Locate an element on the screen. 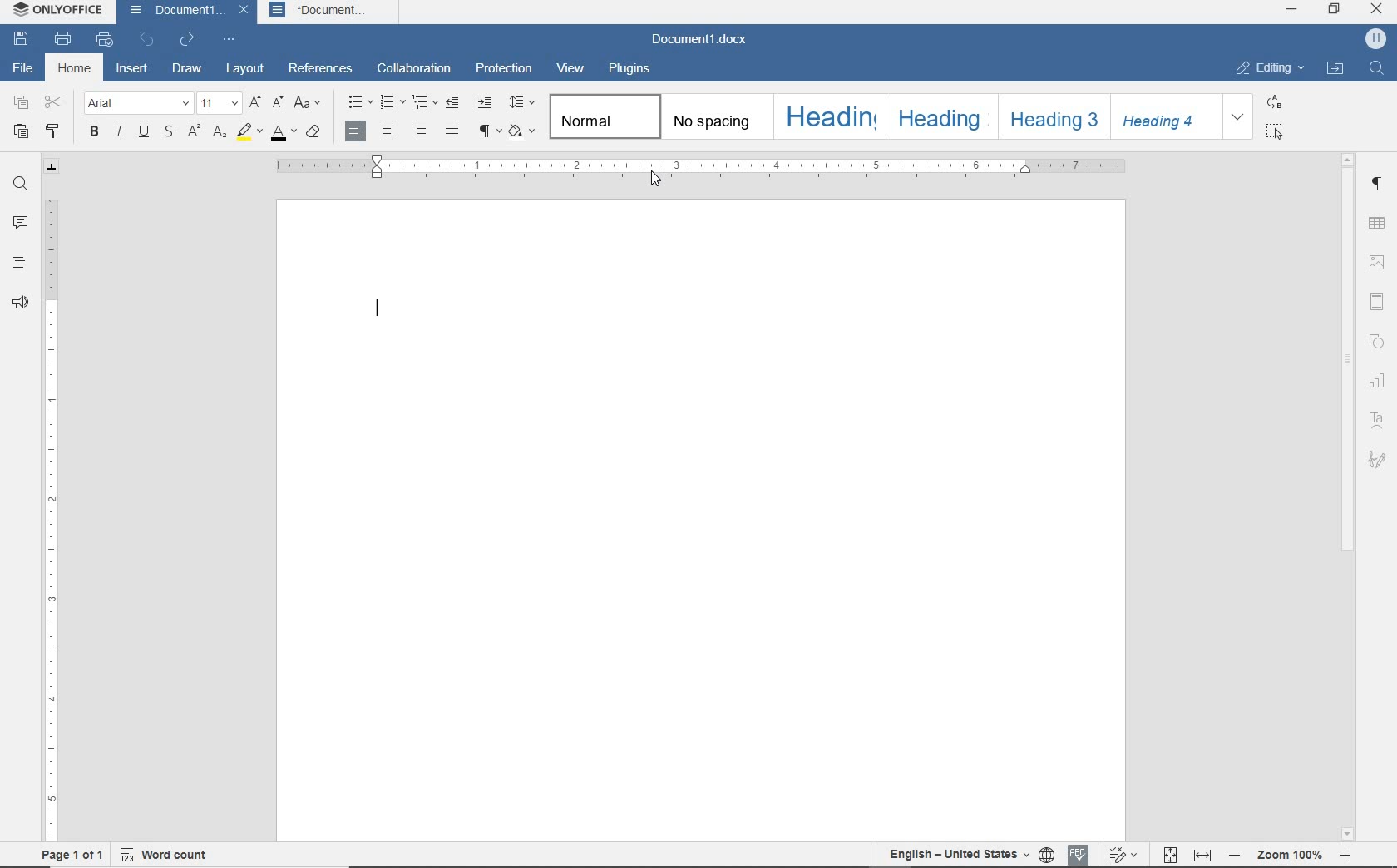 The width and height of the screenshot is (1397, 868). ALIGN RIGHT is located at coordinates (417, 131).